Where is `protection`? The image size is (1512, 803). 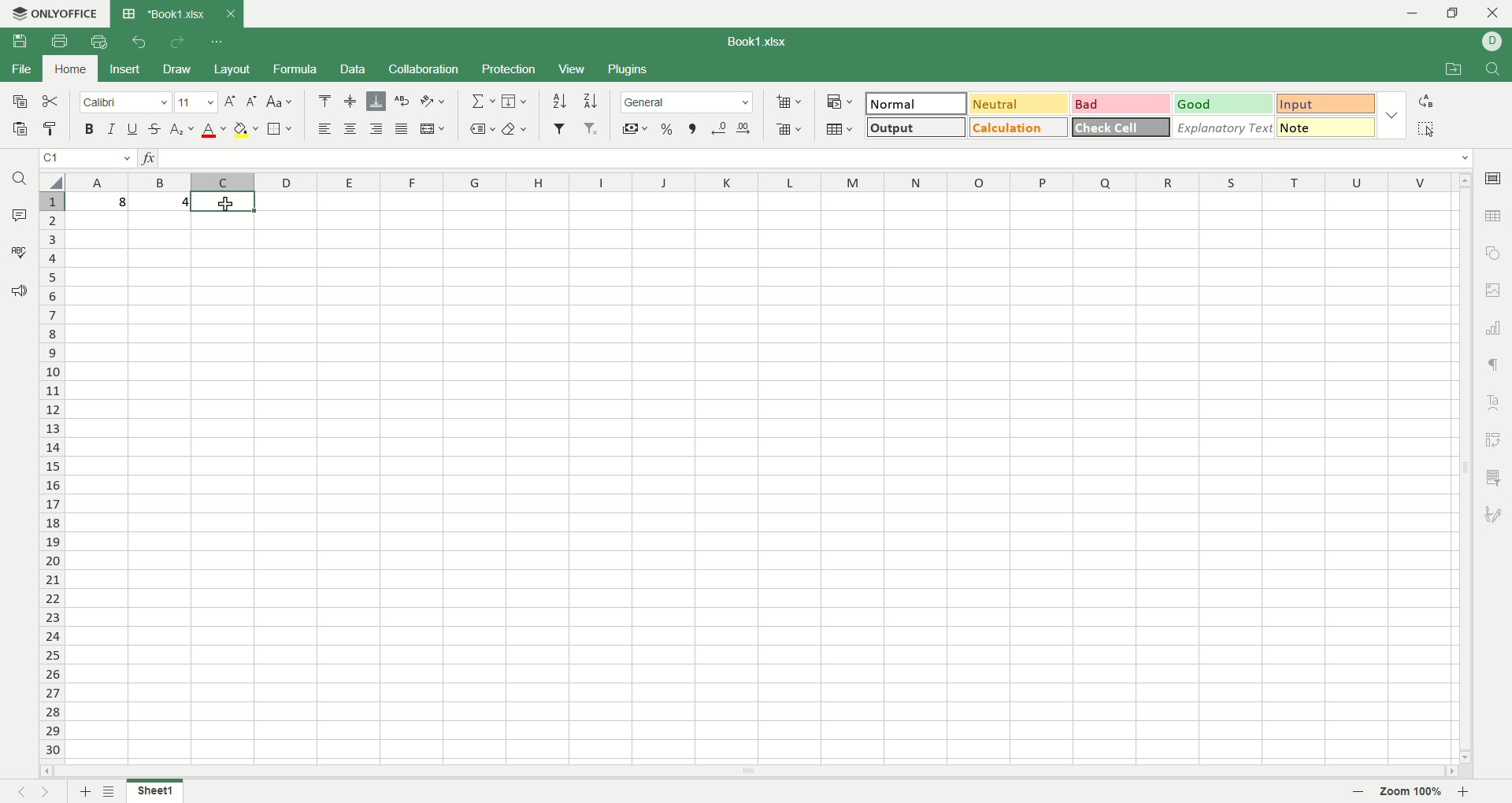 protection is located at coordinates (510, 71).